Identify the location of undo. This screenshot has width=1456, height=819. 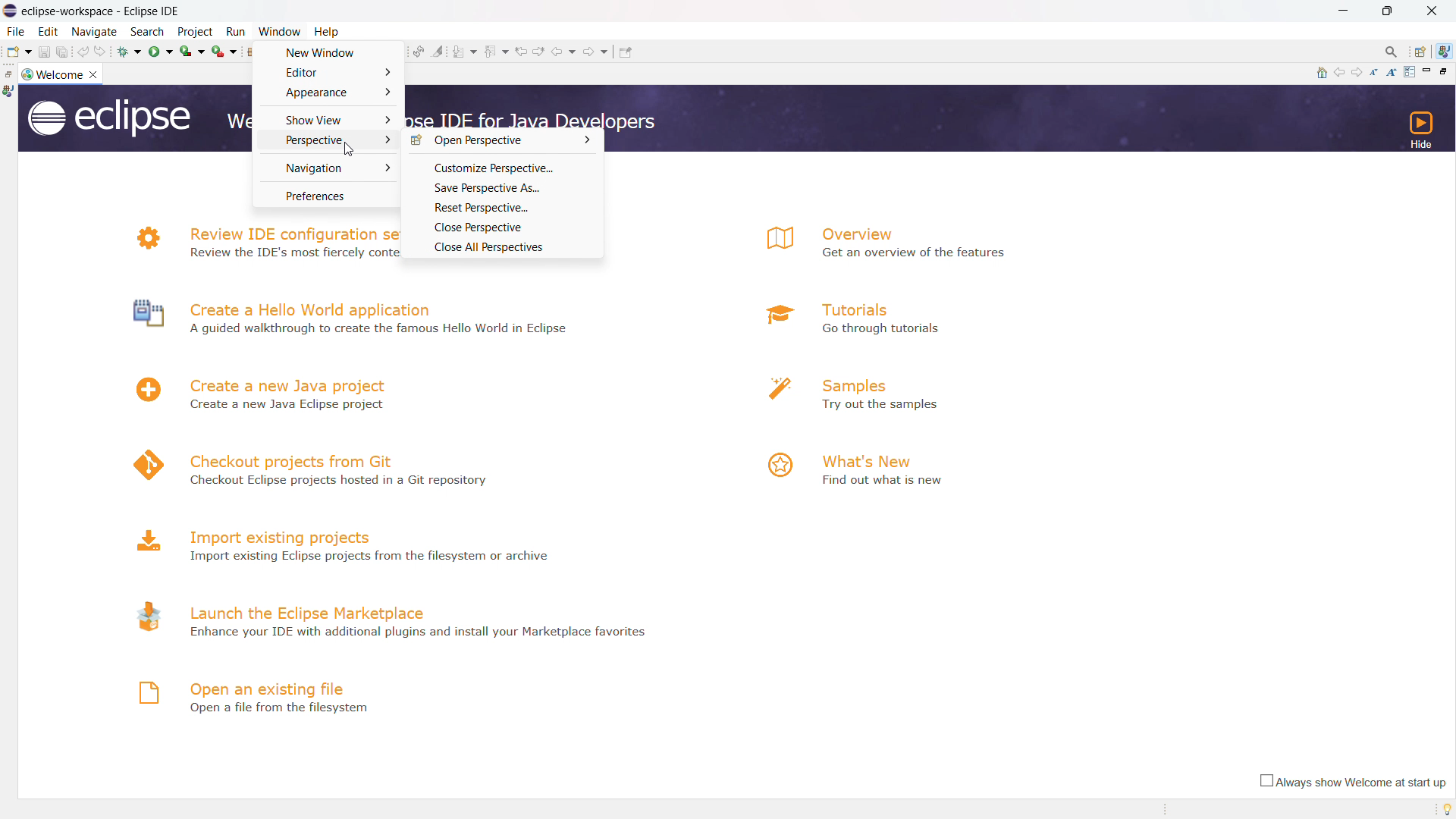
(83, 52).